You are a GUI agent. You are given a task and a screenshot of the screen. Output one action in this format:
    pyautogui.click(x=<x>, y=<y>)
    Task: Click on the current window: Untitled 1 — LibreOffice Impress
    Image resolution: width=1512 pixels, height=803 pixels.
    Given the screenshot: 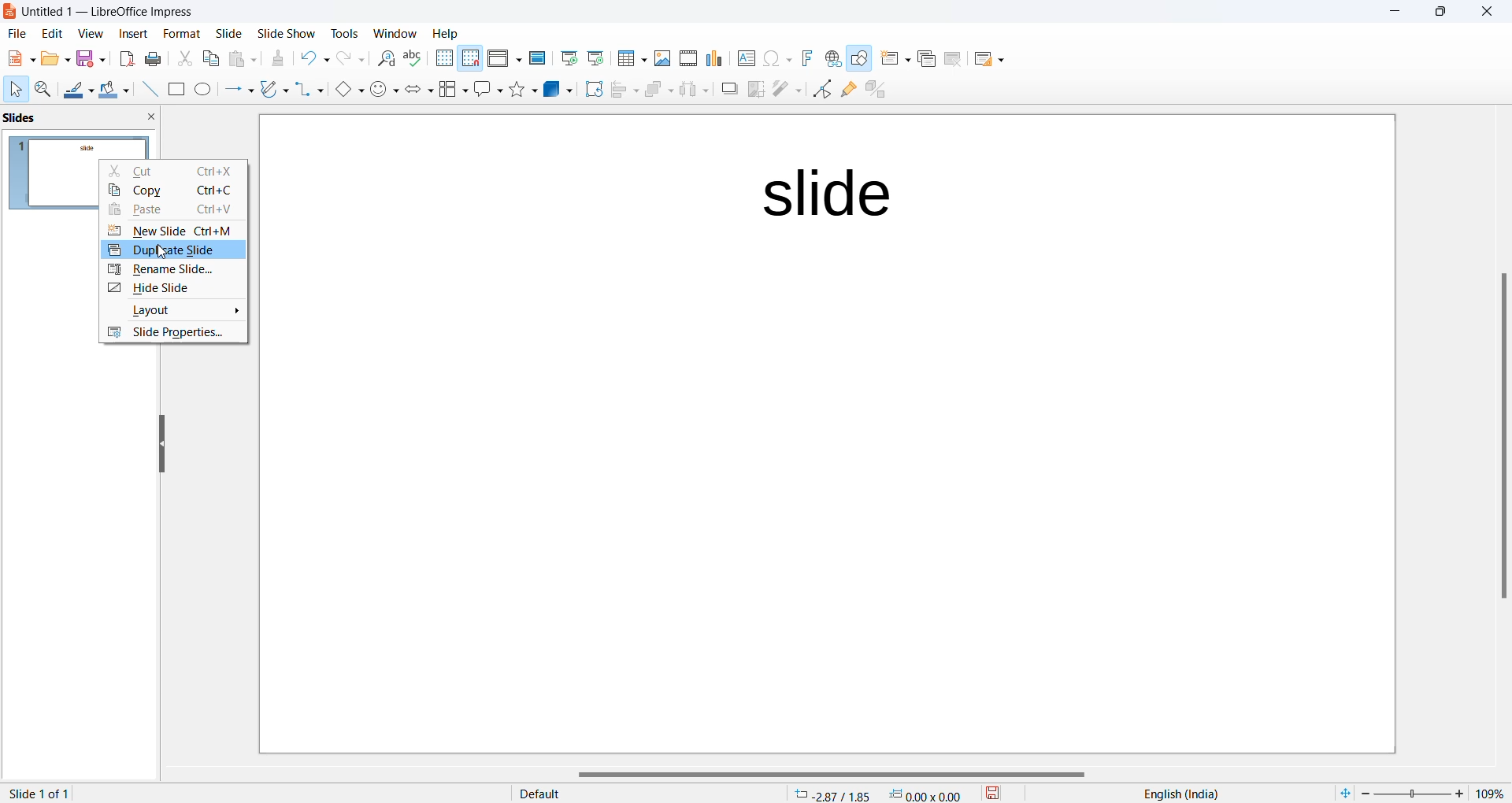 What is the action you would take?
    pyautogui.click(x=105, y=13)
    